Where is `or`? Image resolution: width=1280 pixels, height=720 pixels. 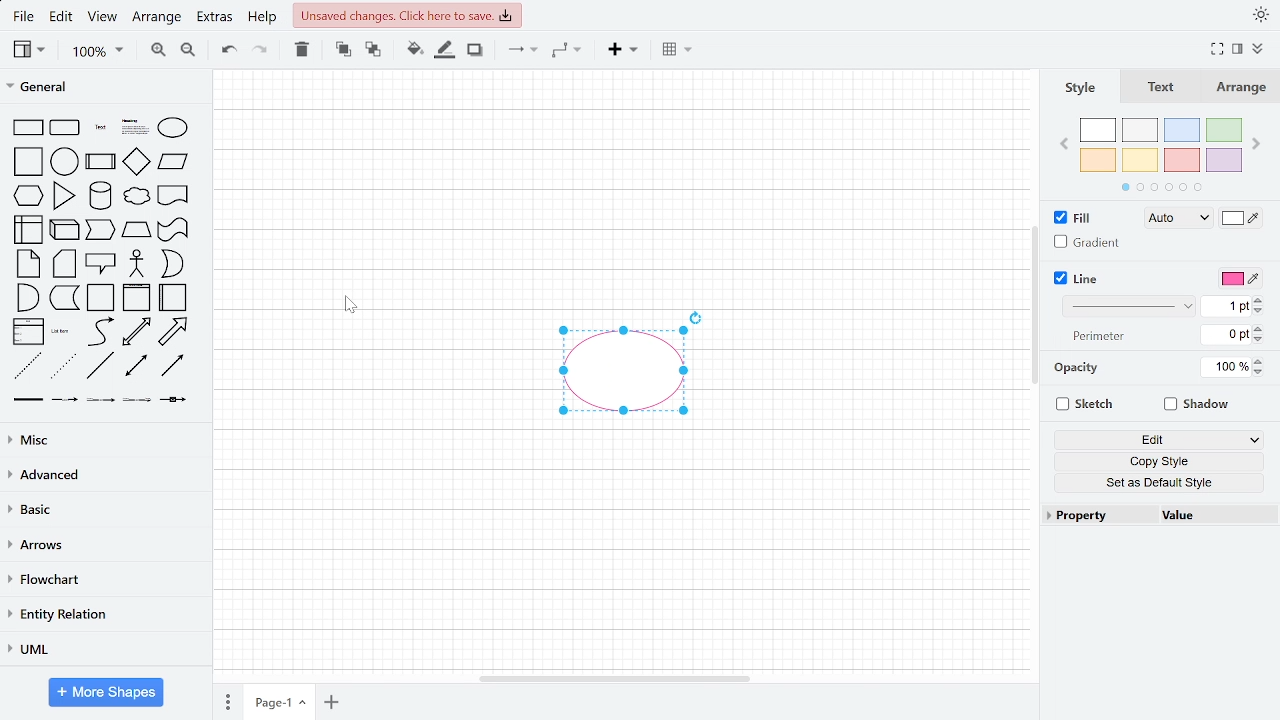
or is located at coordinates (171, 264).